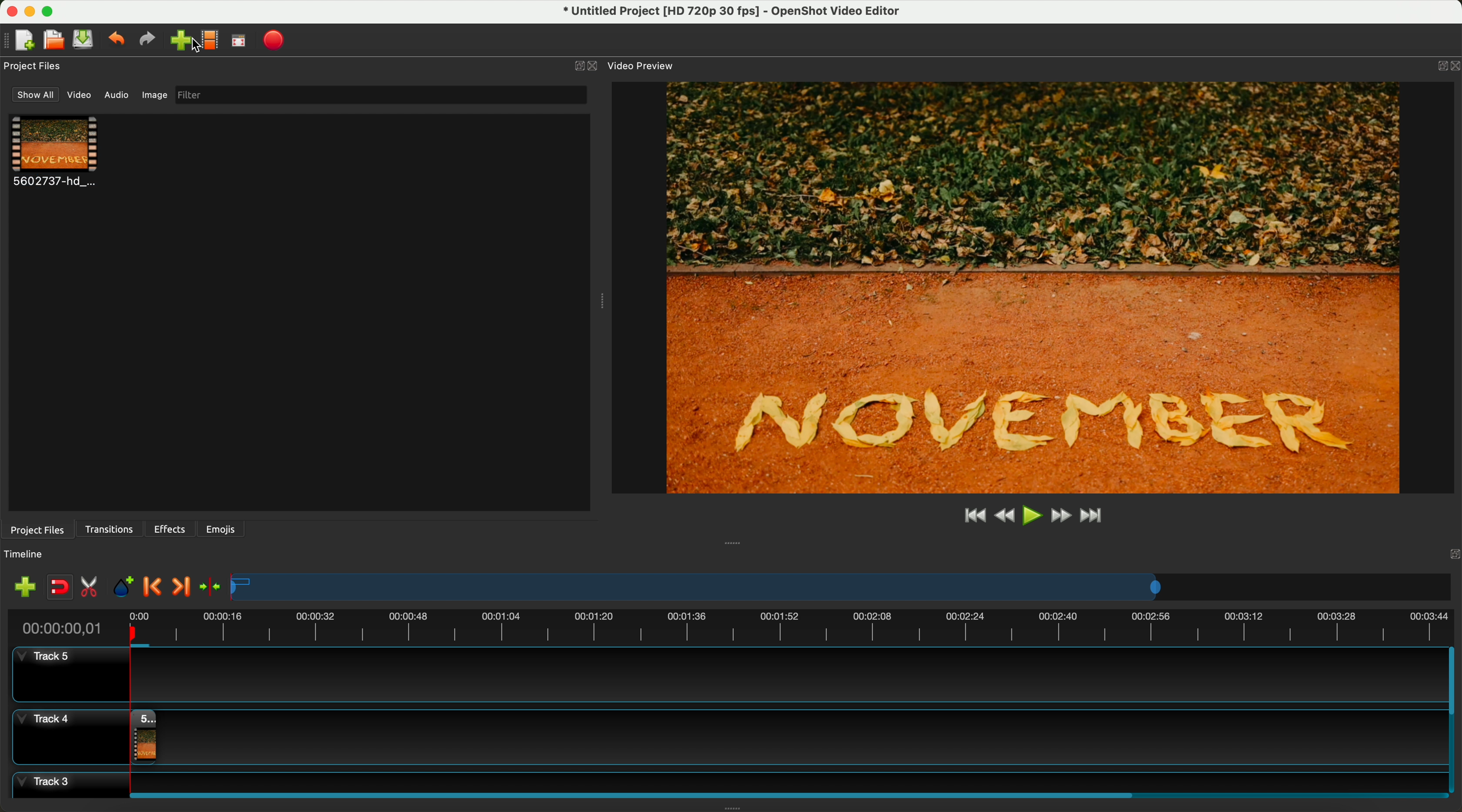 The width and height of the screenshot is (1462, 812). What do you see at coordinates (221, 527) in the screenshot?
I see `emojis` at bounding box center [221, 527].